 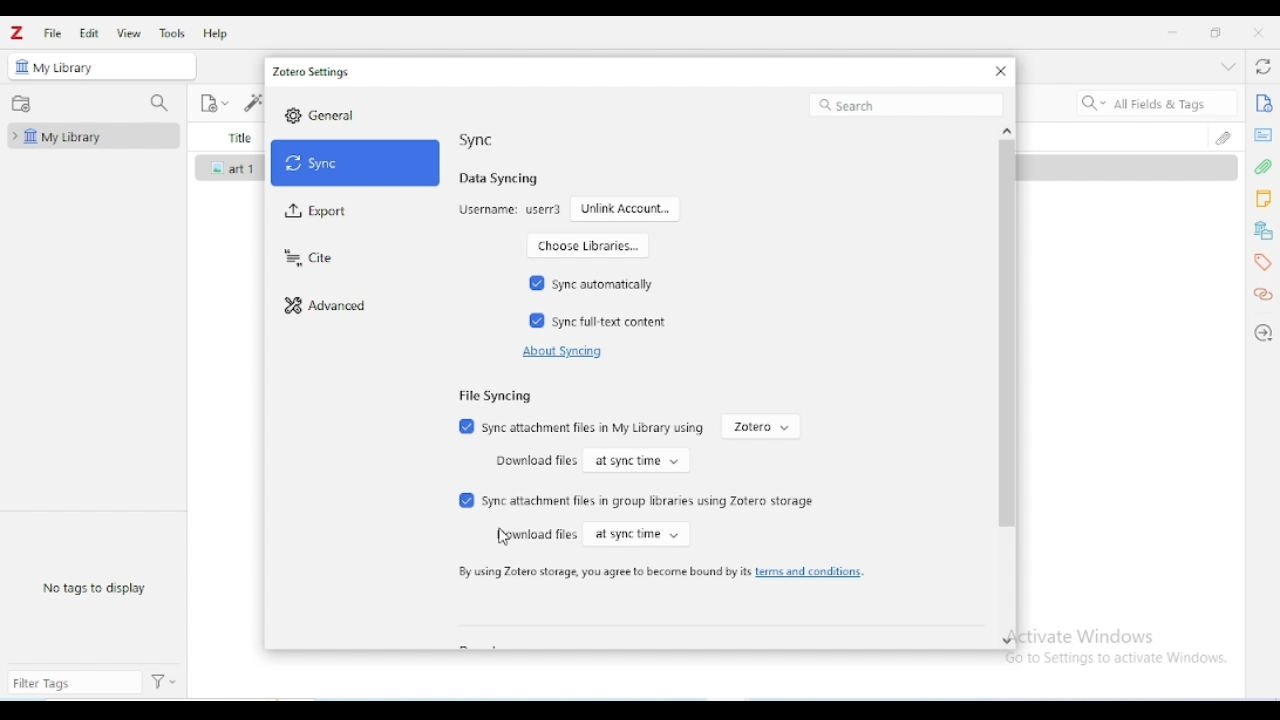 I want to click on  zotero, so click(x=761, y=427).